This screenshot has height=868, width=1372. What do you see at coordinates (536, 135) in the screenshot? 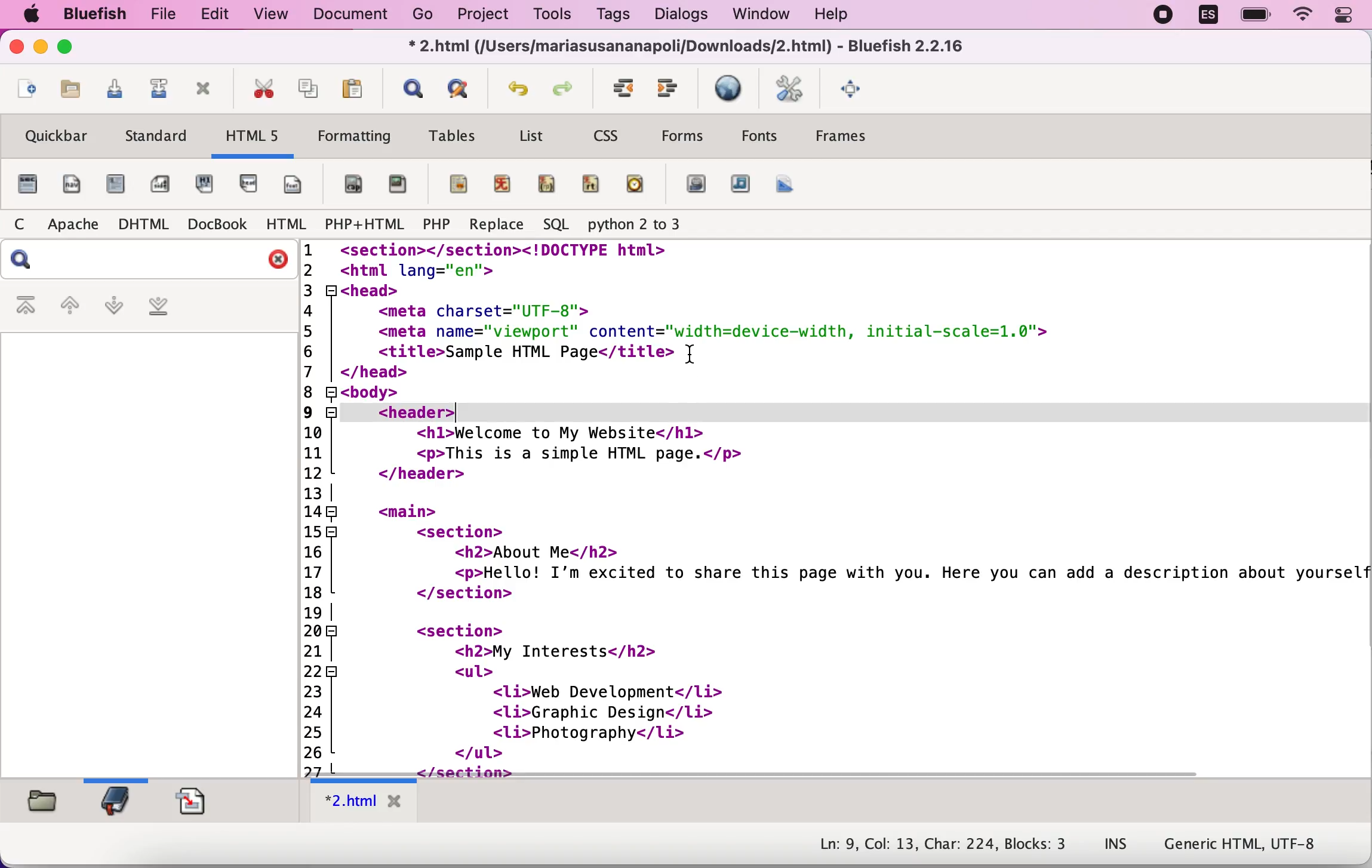
I see `list` at bounding box center [536, 135].